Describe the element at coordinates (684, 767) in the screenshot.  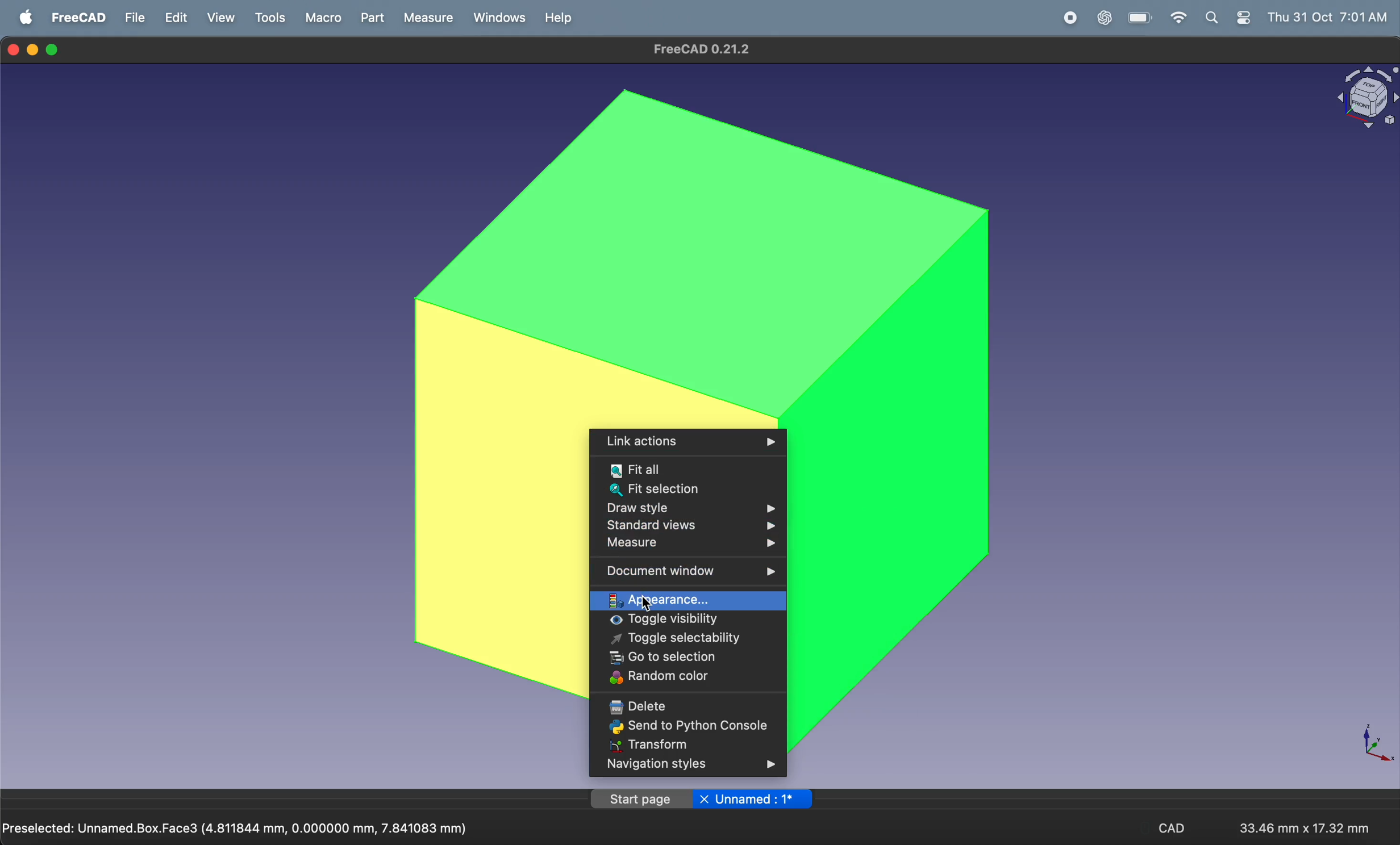
I see `navigation styles` at that location.